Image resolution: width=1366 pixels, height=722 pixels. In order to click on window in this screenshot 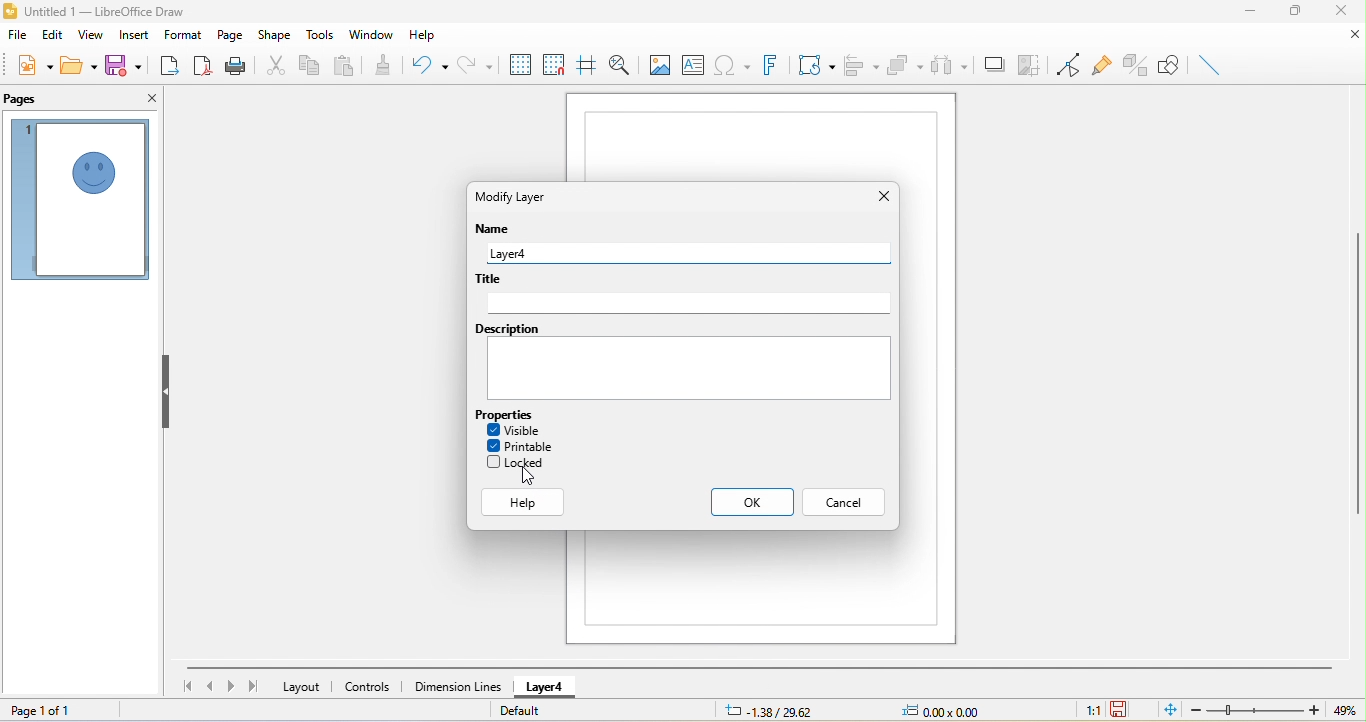, I will do `click(373, 33)`.